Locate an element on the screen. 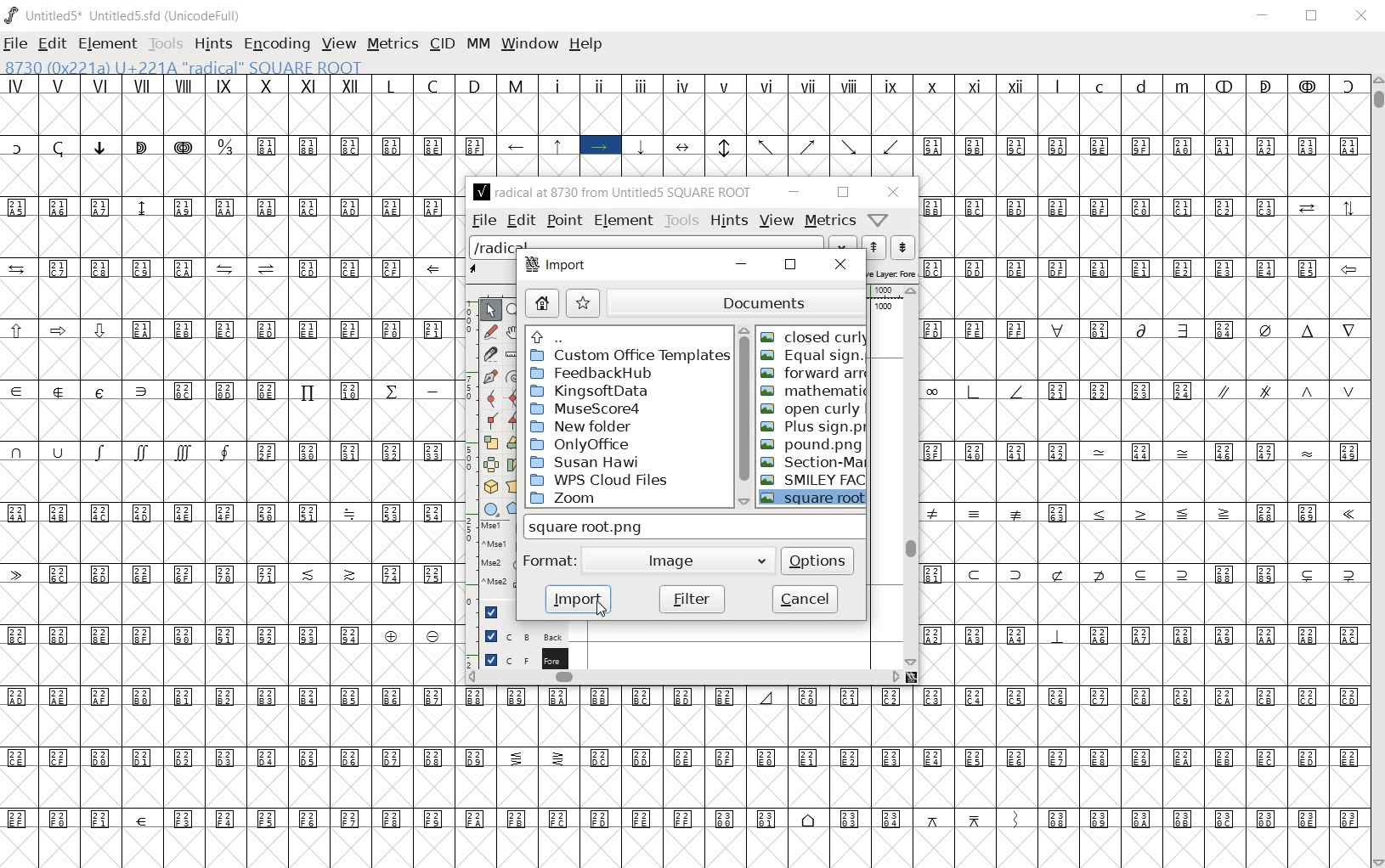 The height and width of the screenshot is (868, 1385). closed curly is located at coordinates (816, 336).